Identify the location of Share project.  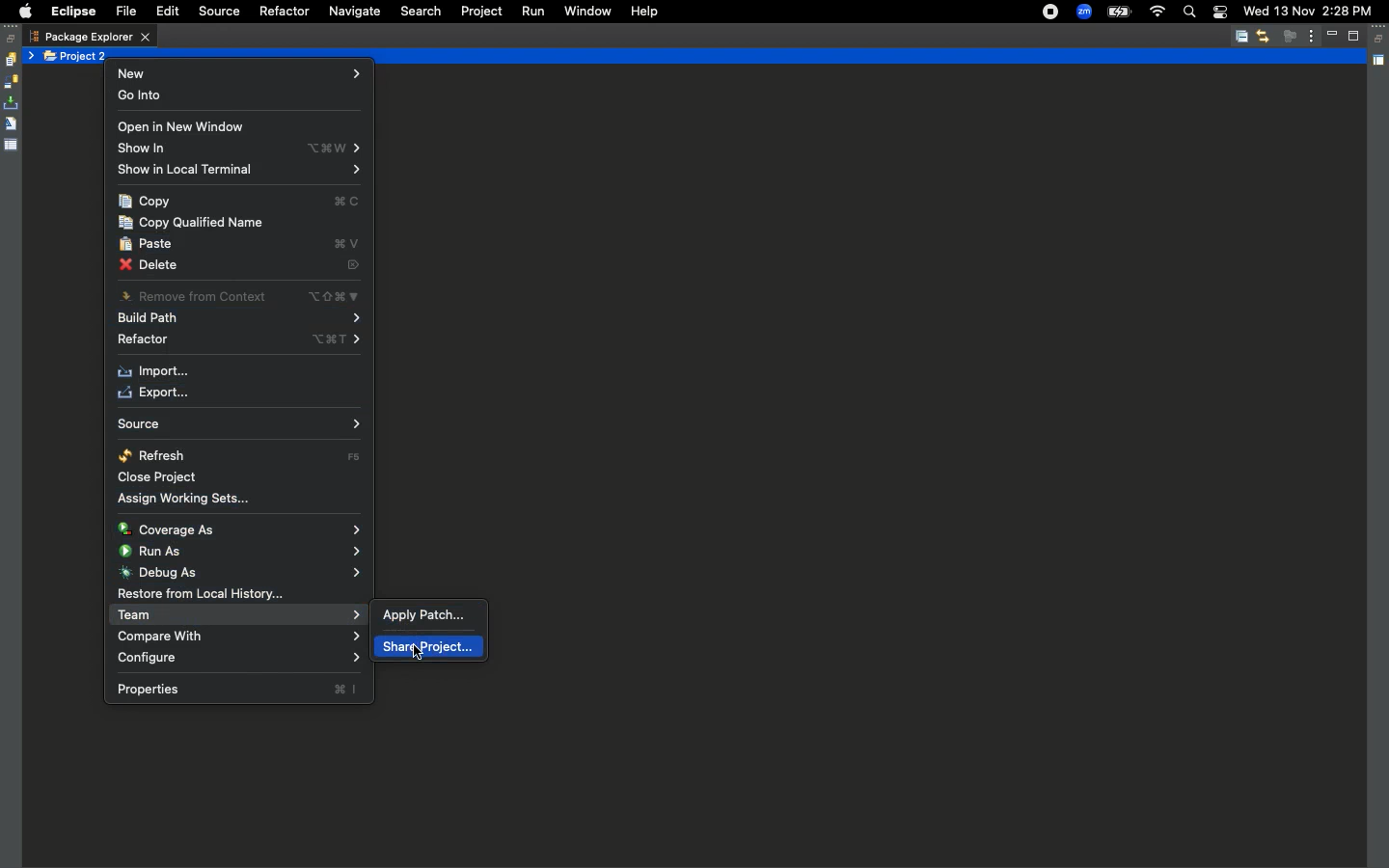
(426, 647).